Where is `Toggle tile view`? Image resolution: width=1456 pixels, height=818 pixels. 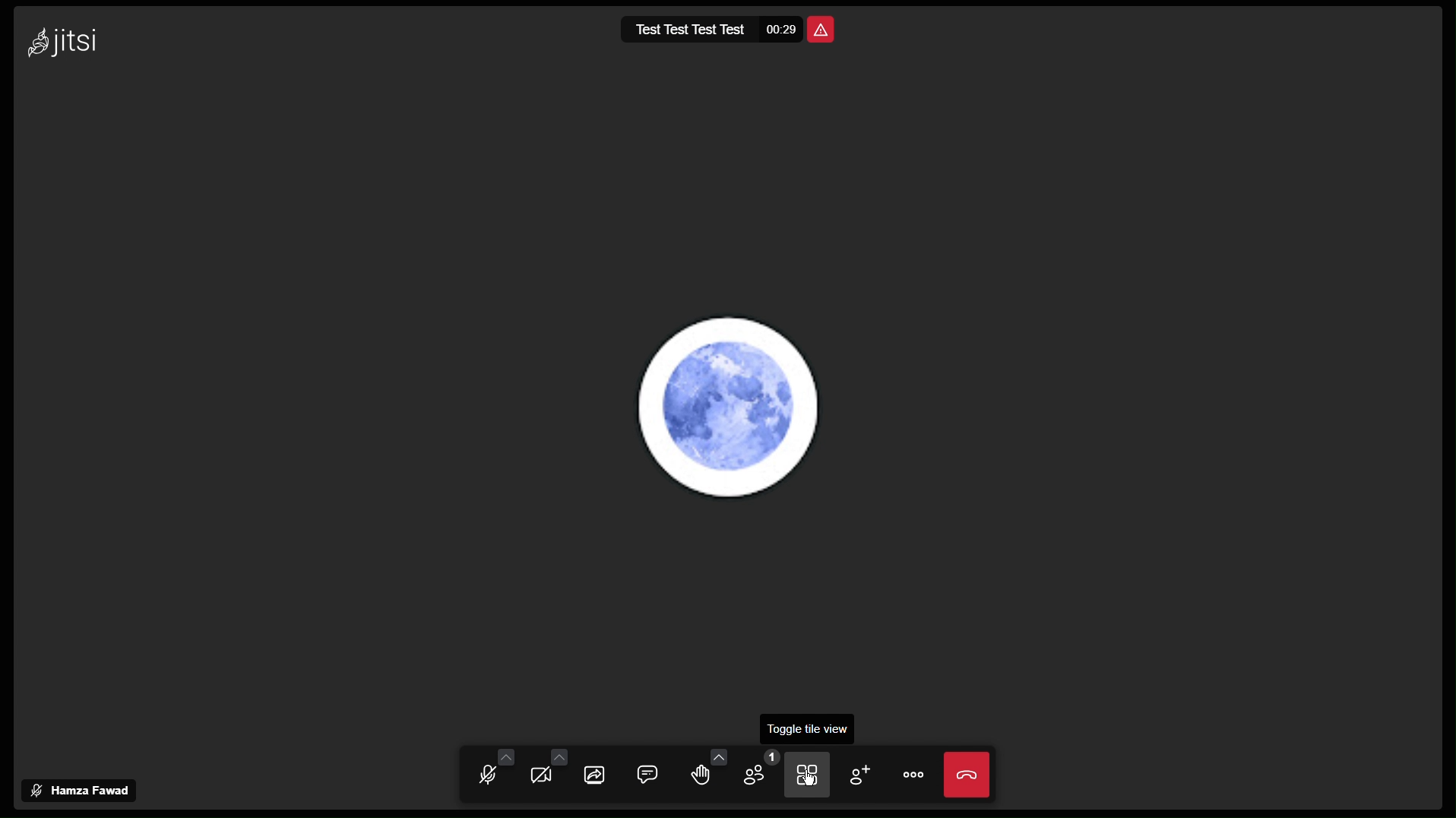 Toggle tile view is located at coordinates (805, 728).